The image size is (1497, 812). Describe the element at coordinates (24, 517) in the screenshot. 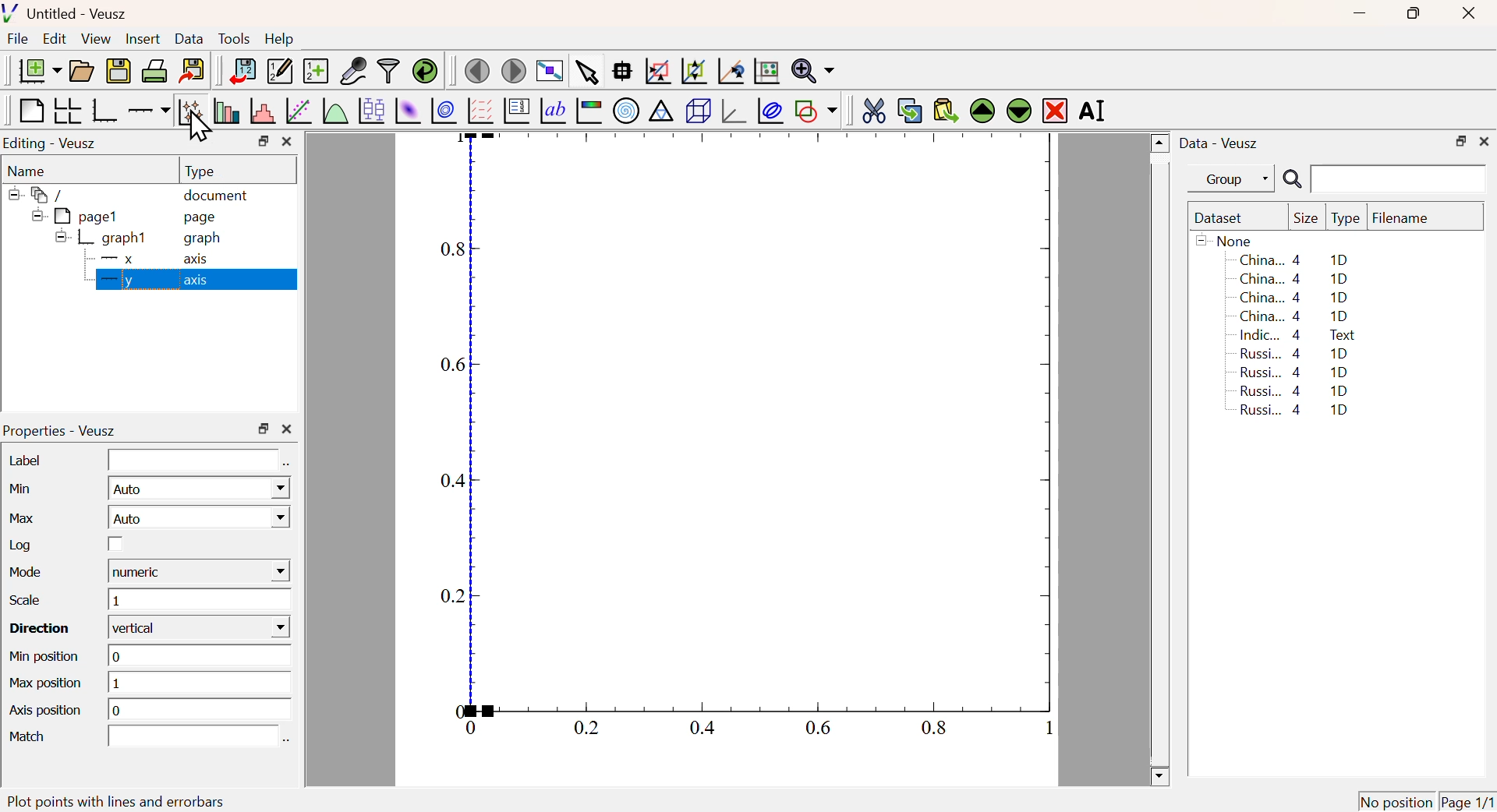

I see `Max` at that location.